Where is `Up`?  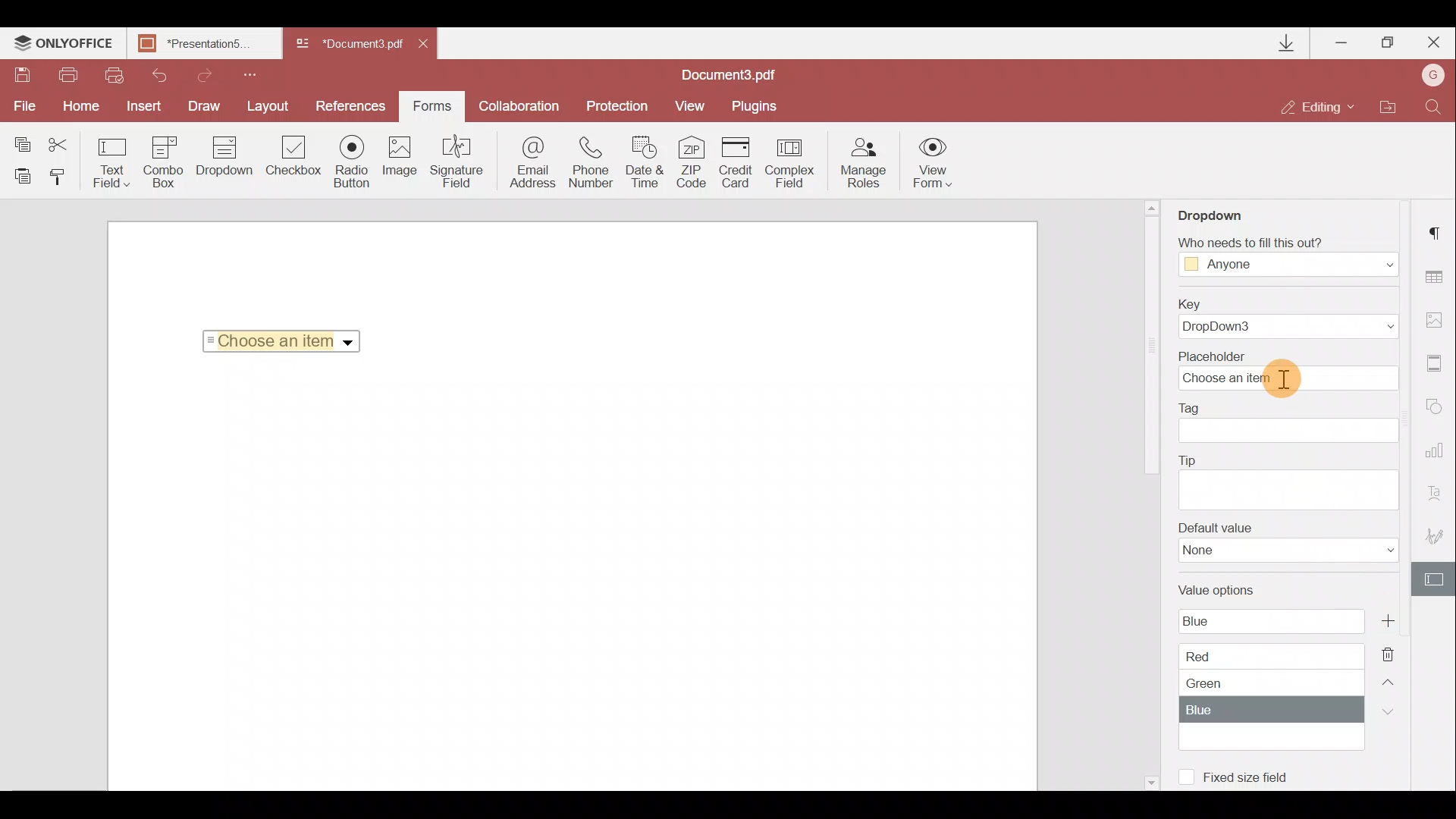 Up is located at coordinates (1391, 679).